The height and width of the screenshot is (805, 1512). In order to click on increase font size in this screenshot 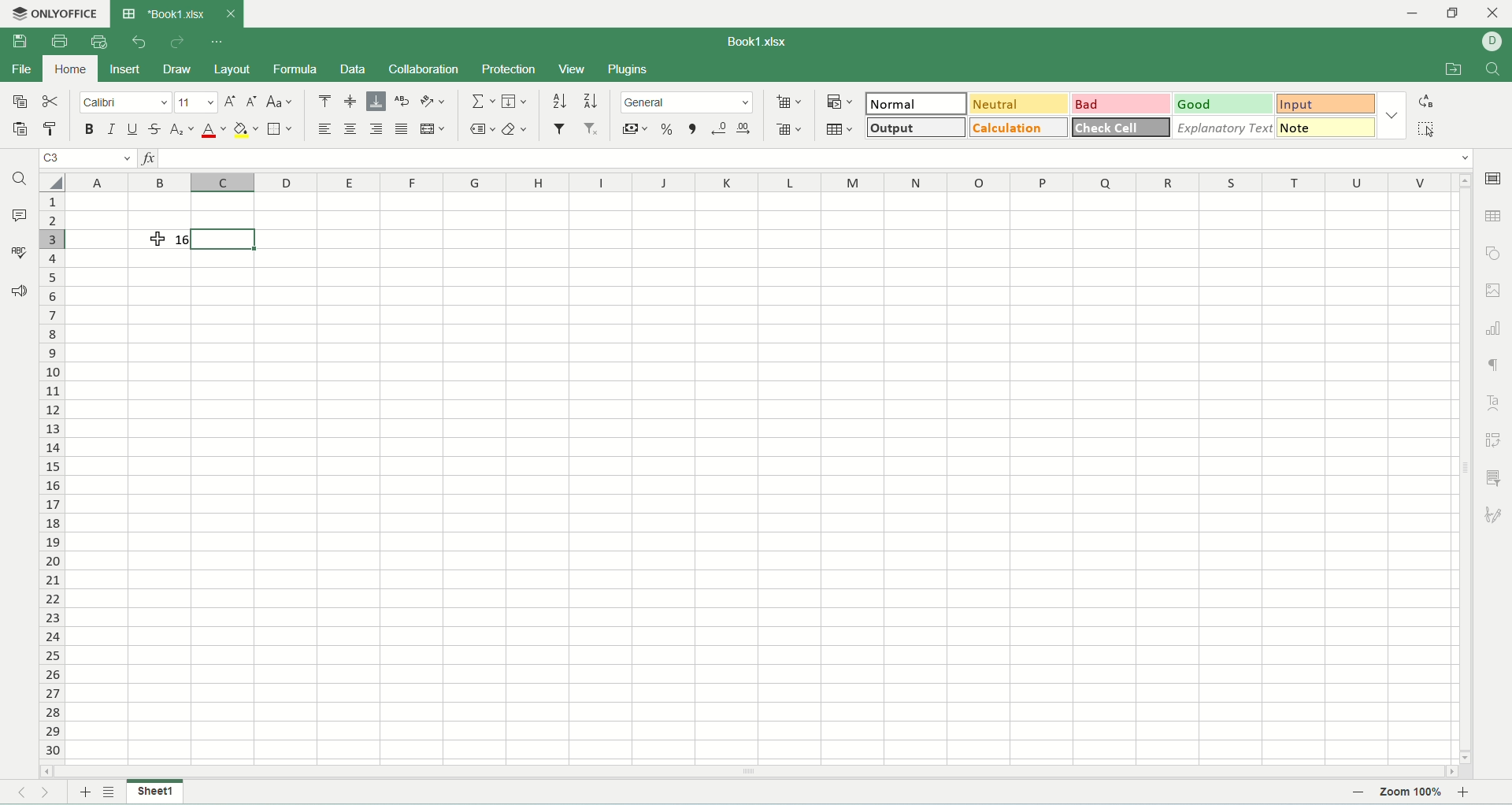, I will do `click(230, 103)`.